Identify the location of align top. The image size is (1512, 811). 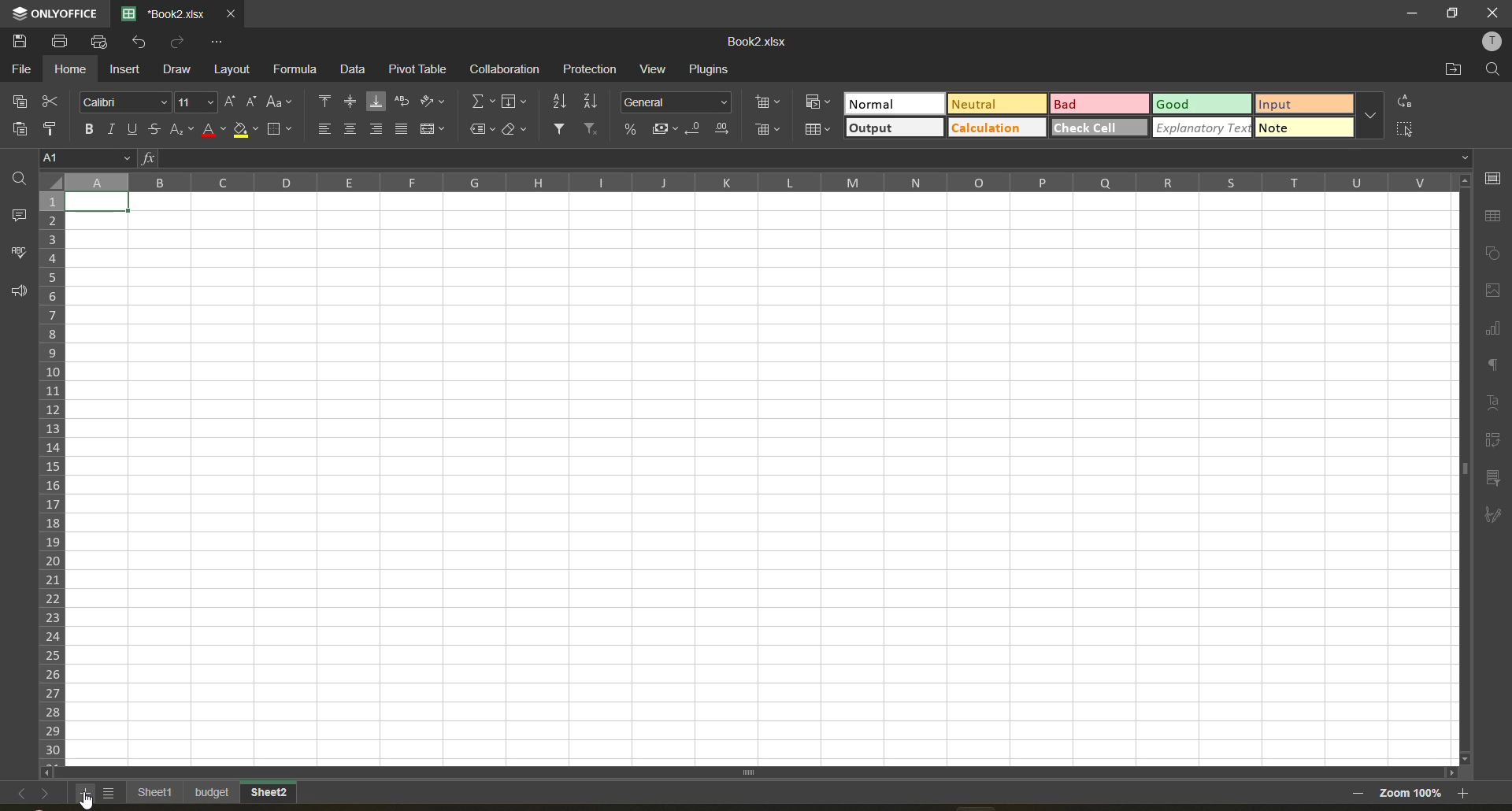
(326, 102).